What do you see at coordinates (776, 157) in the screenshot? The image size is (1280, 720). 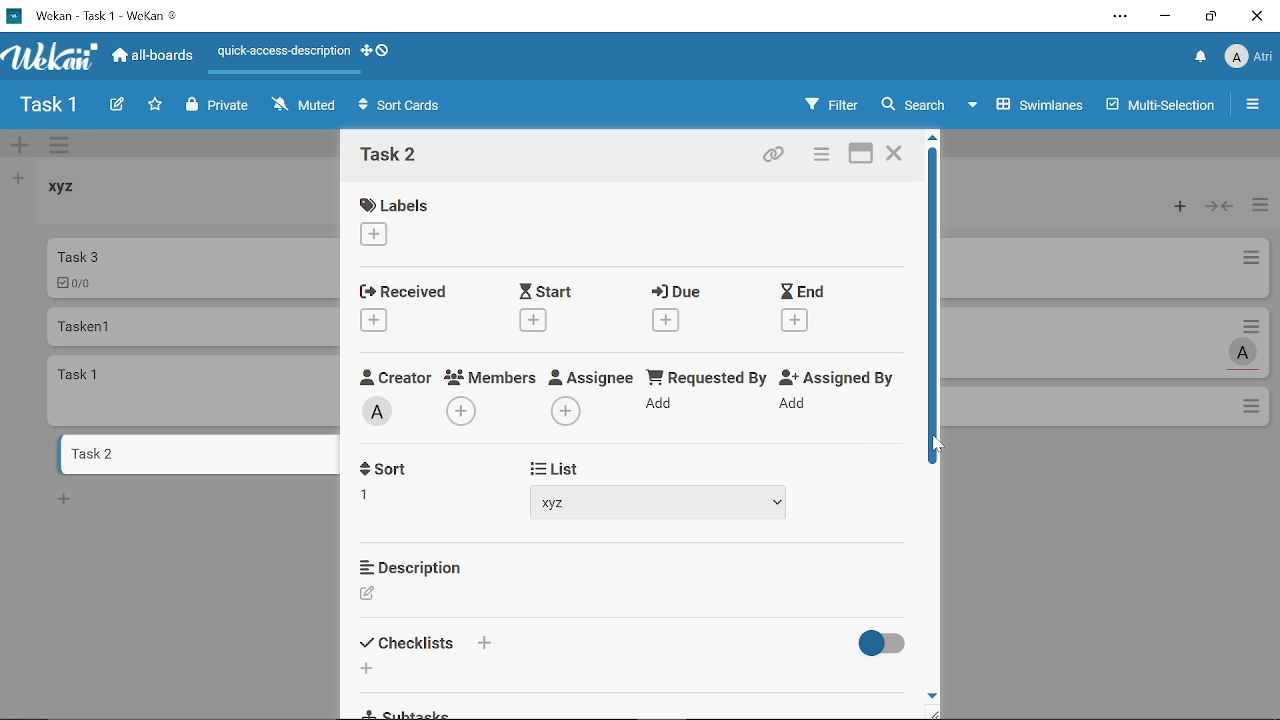 I see `Copy card link to clipboard` at bounding box center [776, 157].